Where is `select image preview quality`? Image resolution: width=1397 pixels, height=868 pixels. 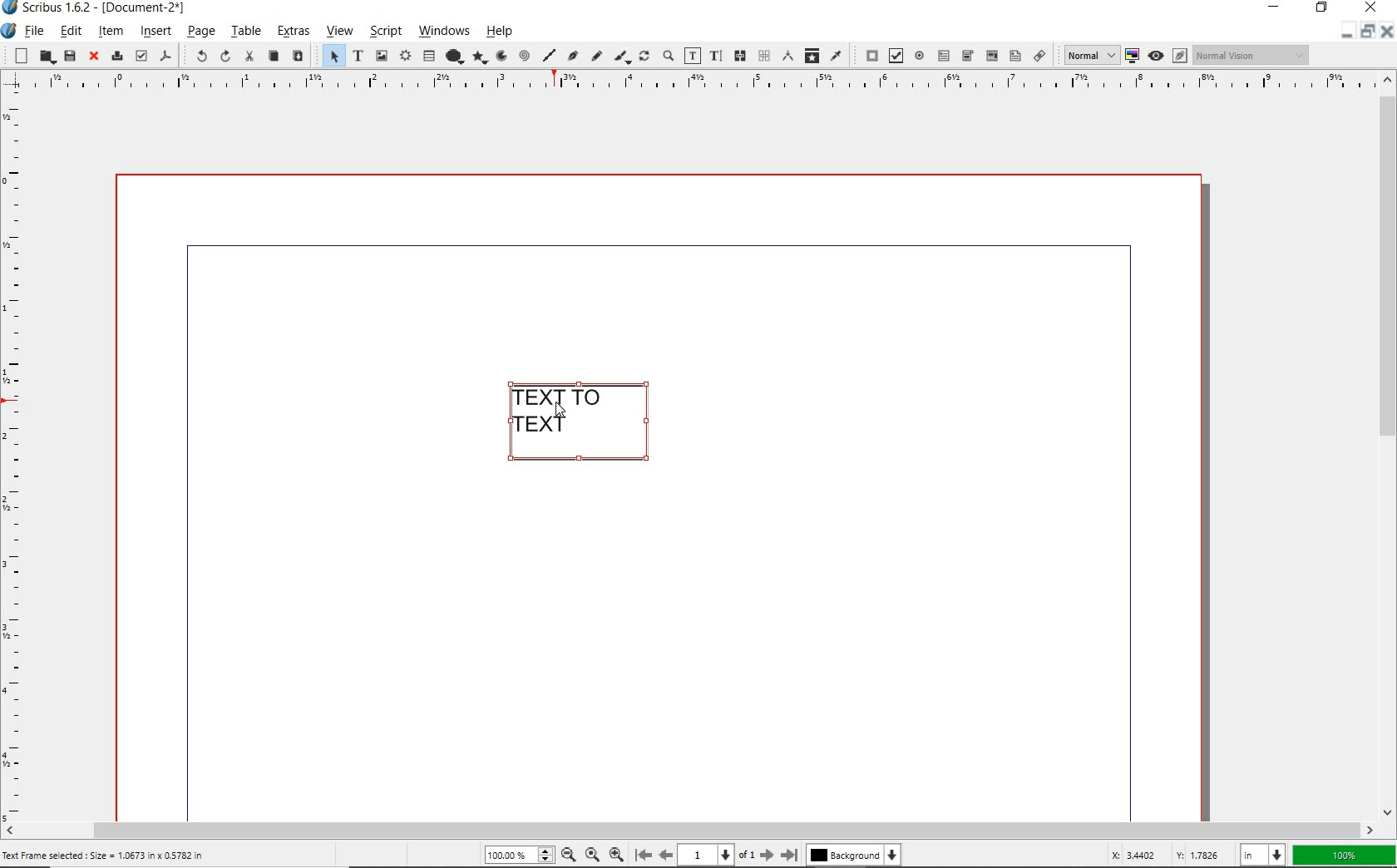 select image preview quality is located at coordinates (1088, 54).